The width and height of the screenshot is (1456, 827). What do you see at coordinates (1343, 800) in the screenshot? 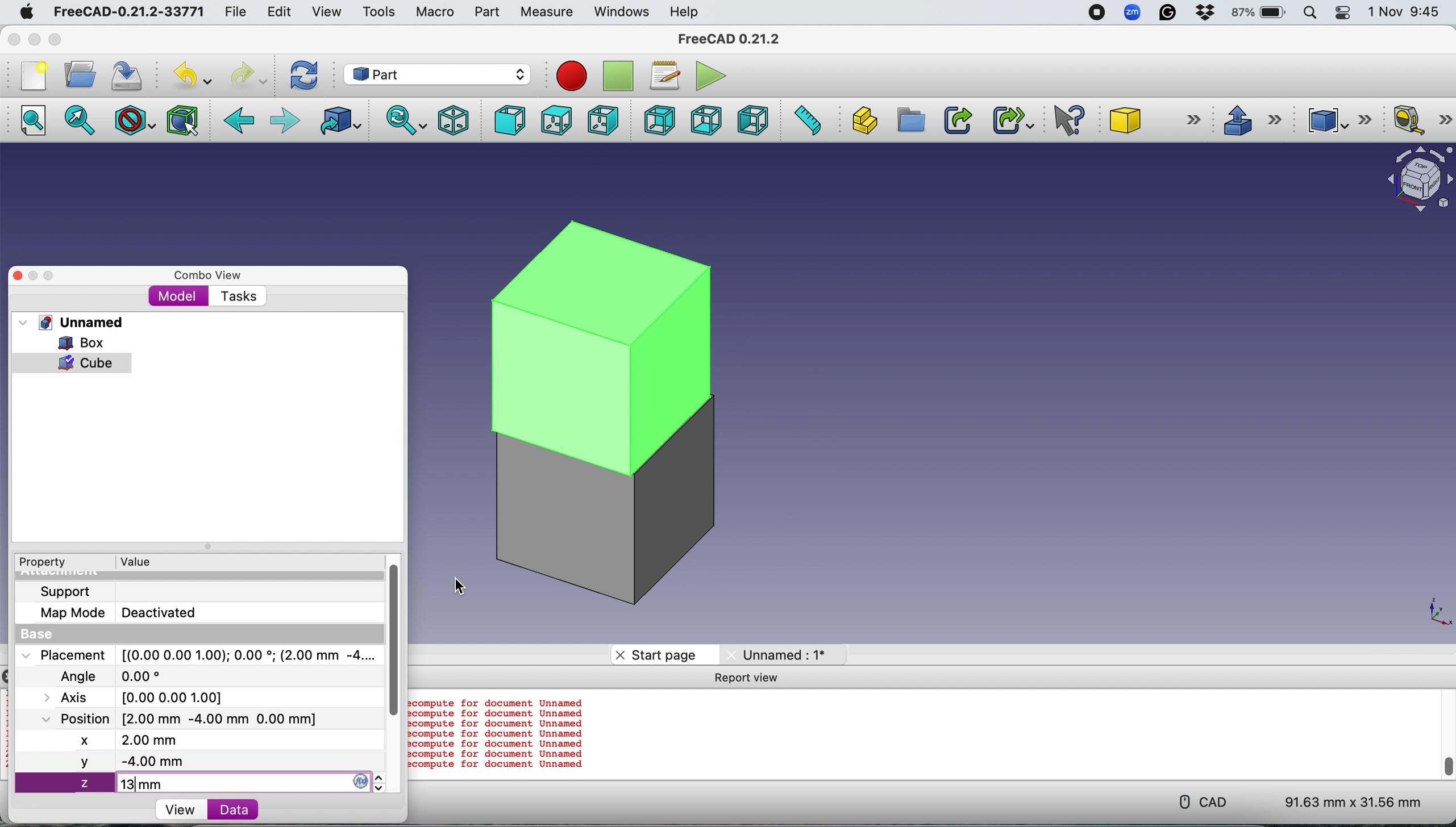
I see `91.63 mm x 31.56 mm` at bounding box center [1343, 800].